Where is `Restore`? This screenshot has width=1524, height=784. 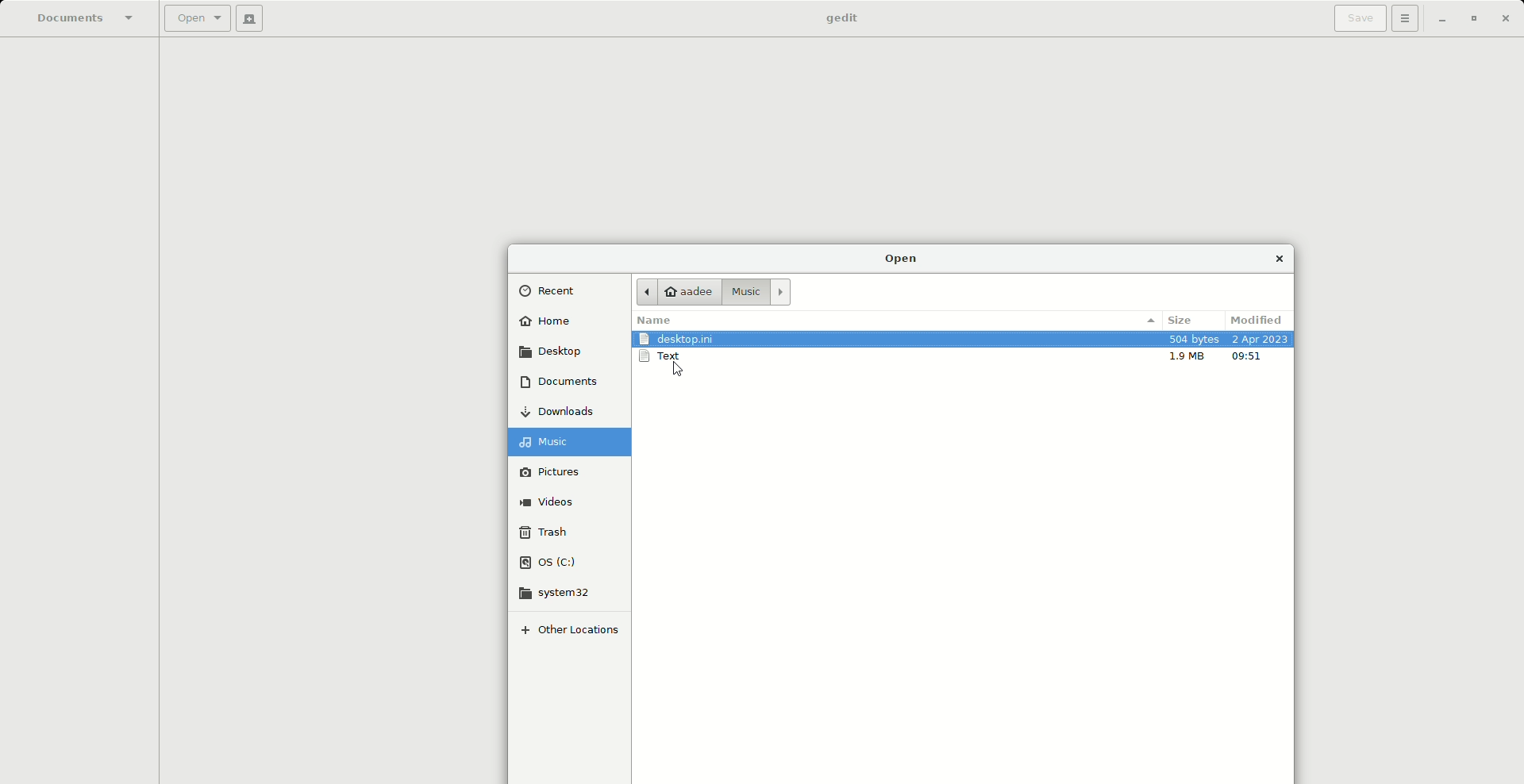 Restore is located at coordinates (1476, 17).